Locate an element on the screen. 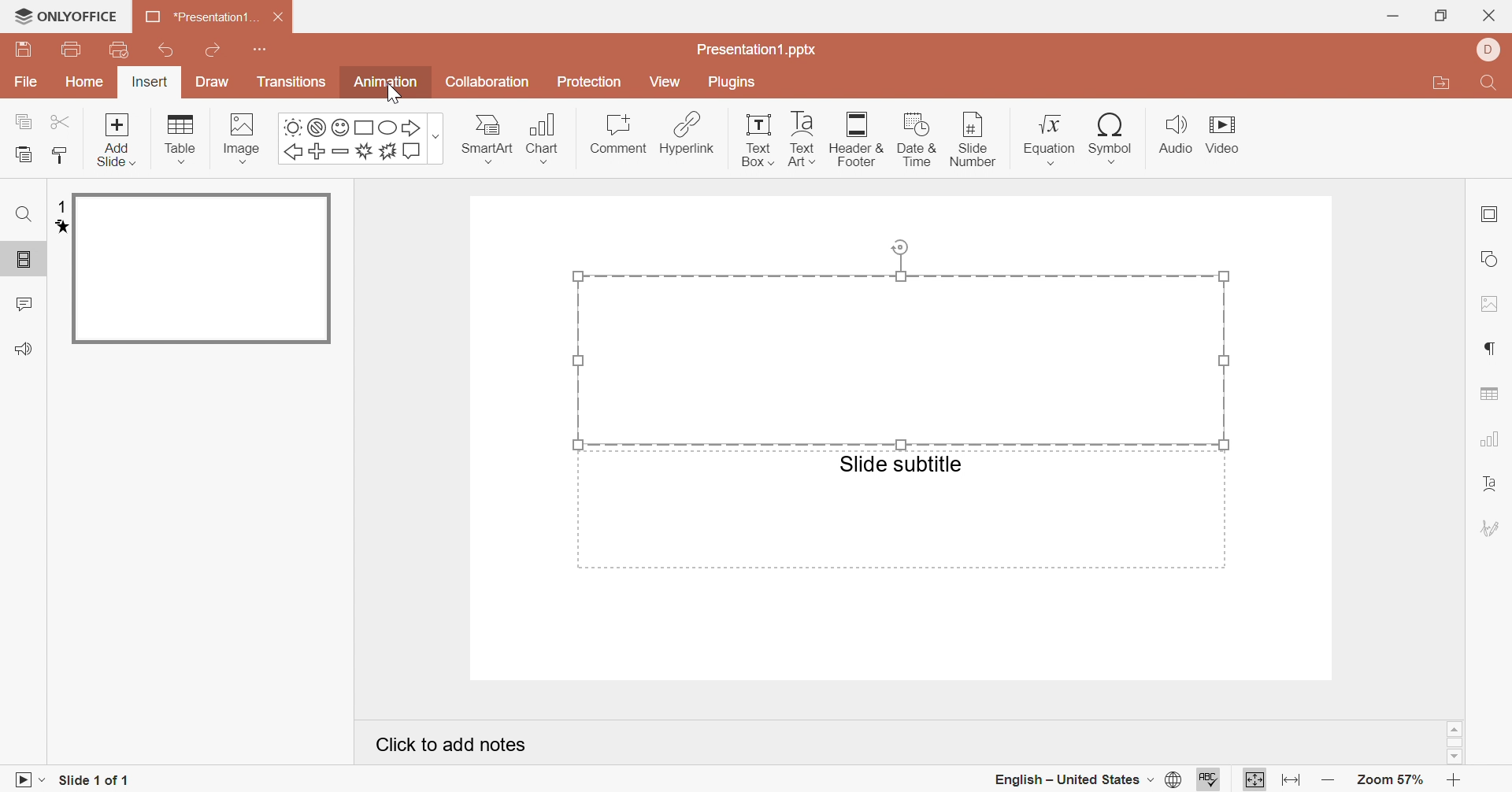 Image resolution: width=1512 pixels, height=792 pixels. slide subtitle is located at coordinates (901, 464).